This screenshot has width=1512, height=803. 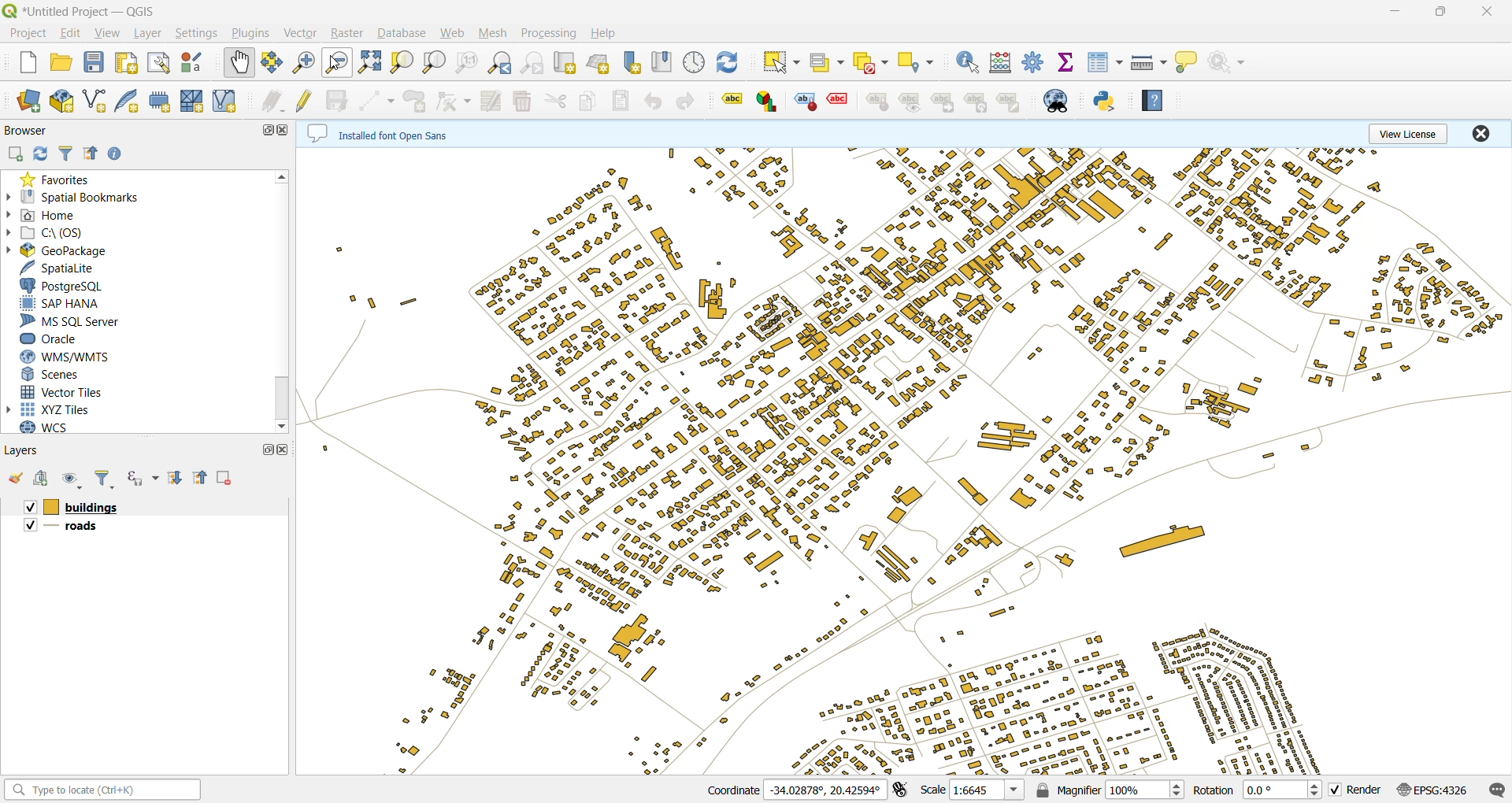 What do you see at coordinates (1106, 63) in the screenshot?
I see `attributes table` at bounding box center [1106, 63].